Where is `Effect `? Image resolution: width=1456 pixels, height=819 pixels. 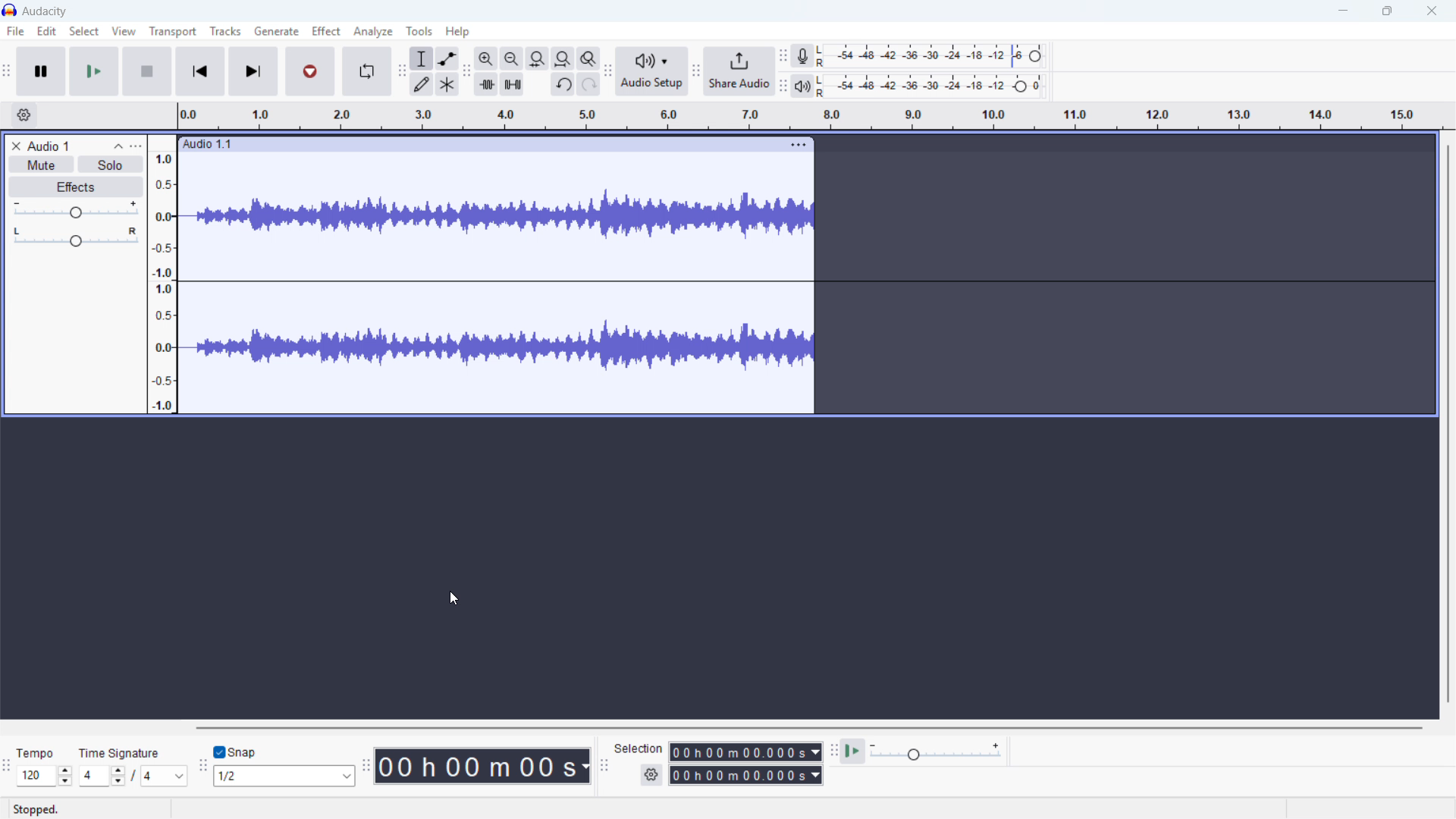
Effect  is located at coordinates (325, 30).